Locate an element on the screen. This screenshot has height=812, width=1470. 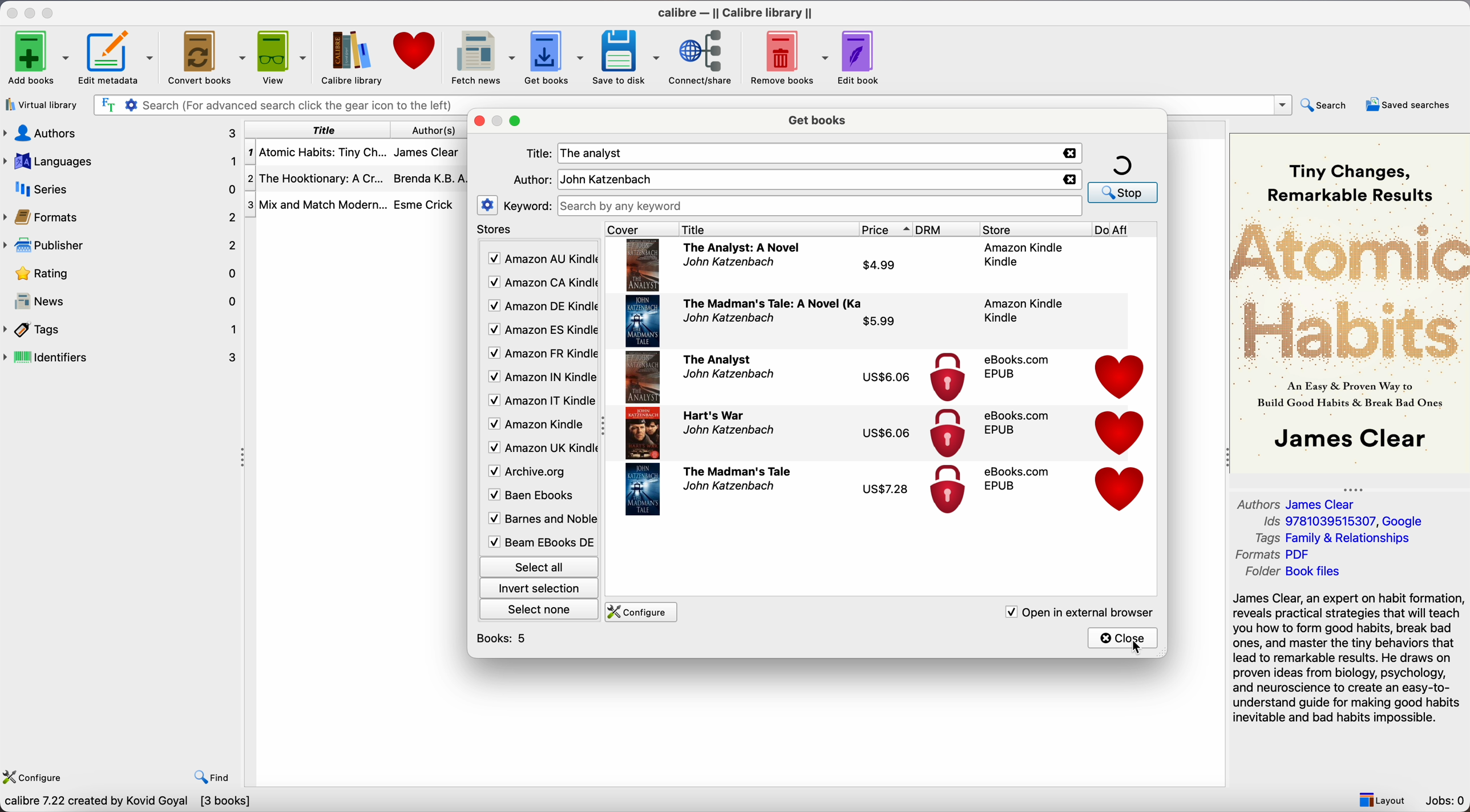
search bar is located at coordinates (689, 103).